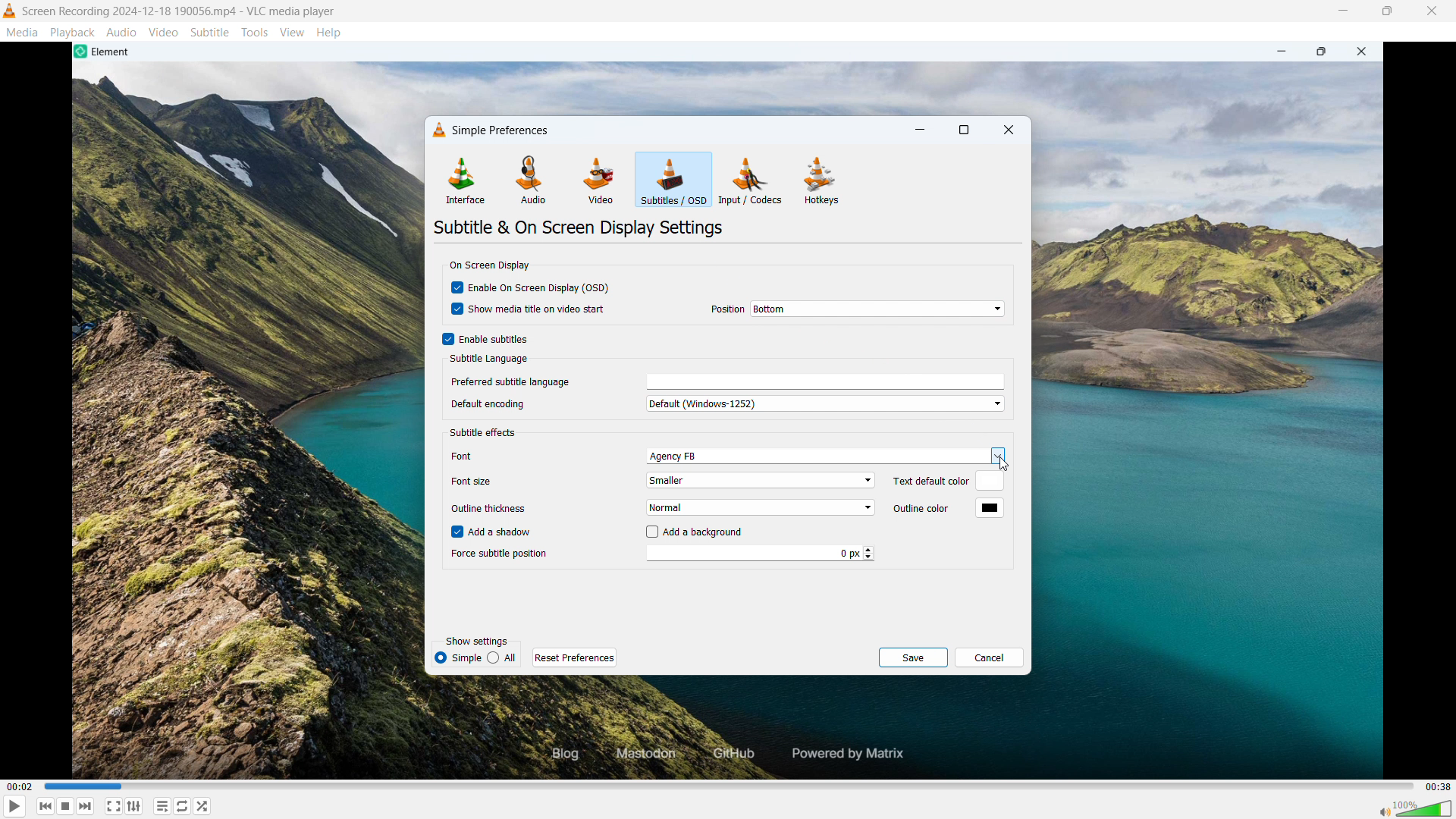  I want to click on reset prferencese, so click(575, 657).